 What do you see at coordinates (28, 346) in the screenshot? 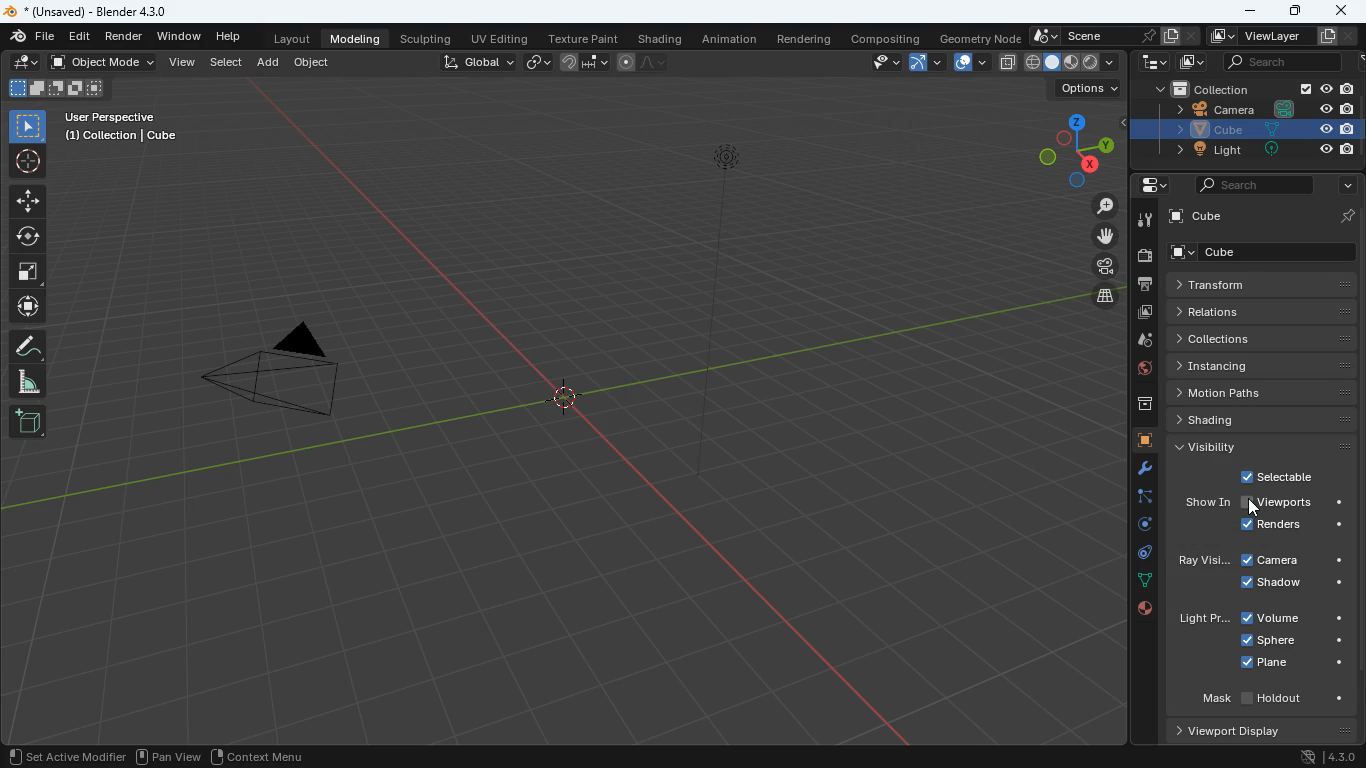
I see `draw` at bounding box center [28, 346].